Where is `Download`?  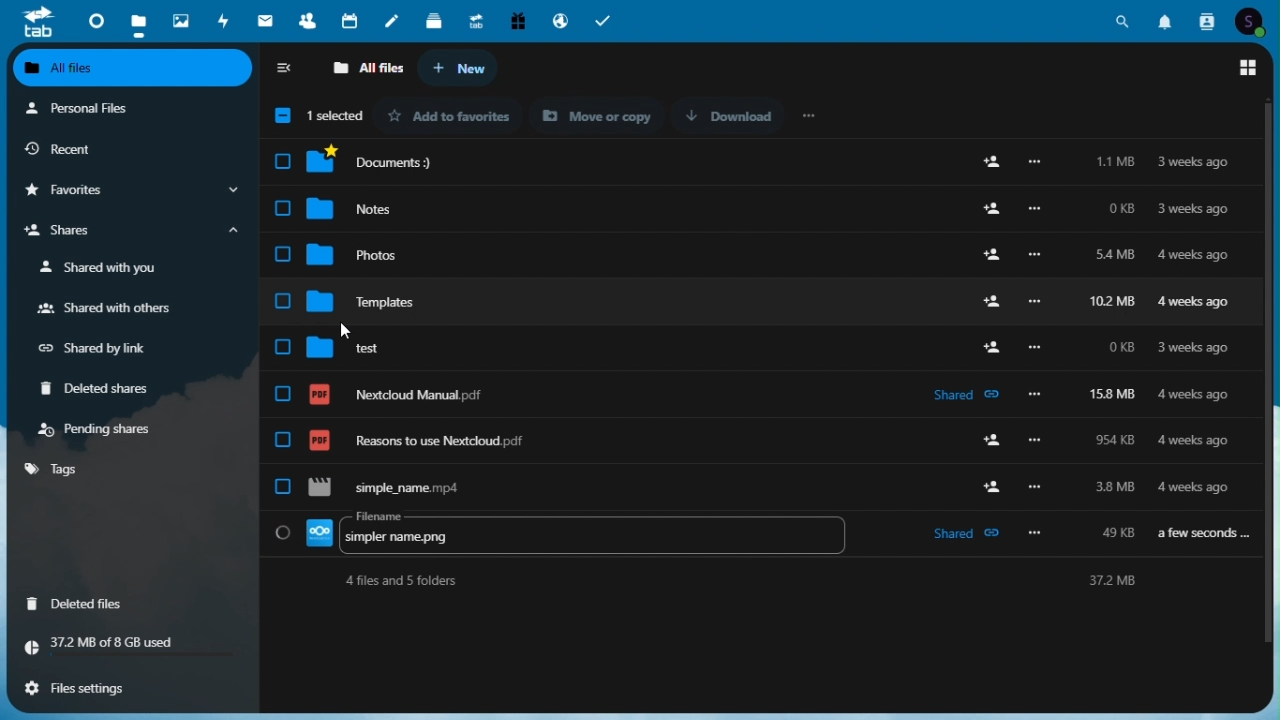 Download is located at coordinates (737, 115).